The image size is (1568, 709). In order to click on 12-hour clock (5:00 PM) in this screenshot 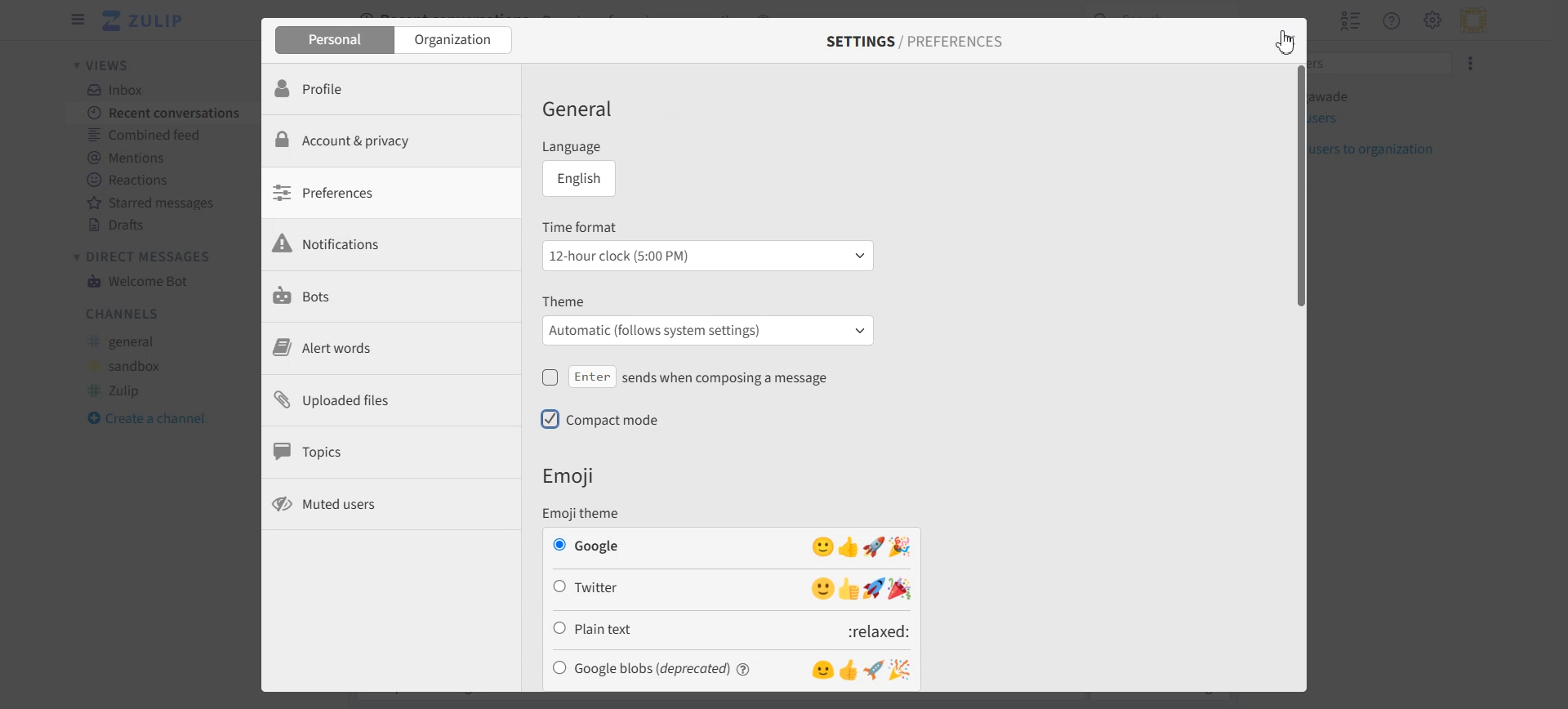, I will do `click(707, 256)`.